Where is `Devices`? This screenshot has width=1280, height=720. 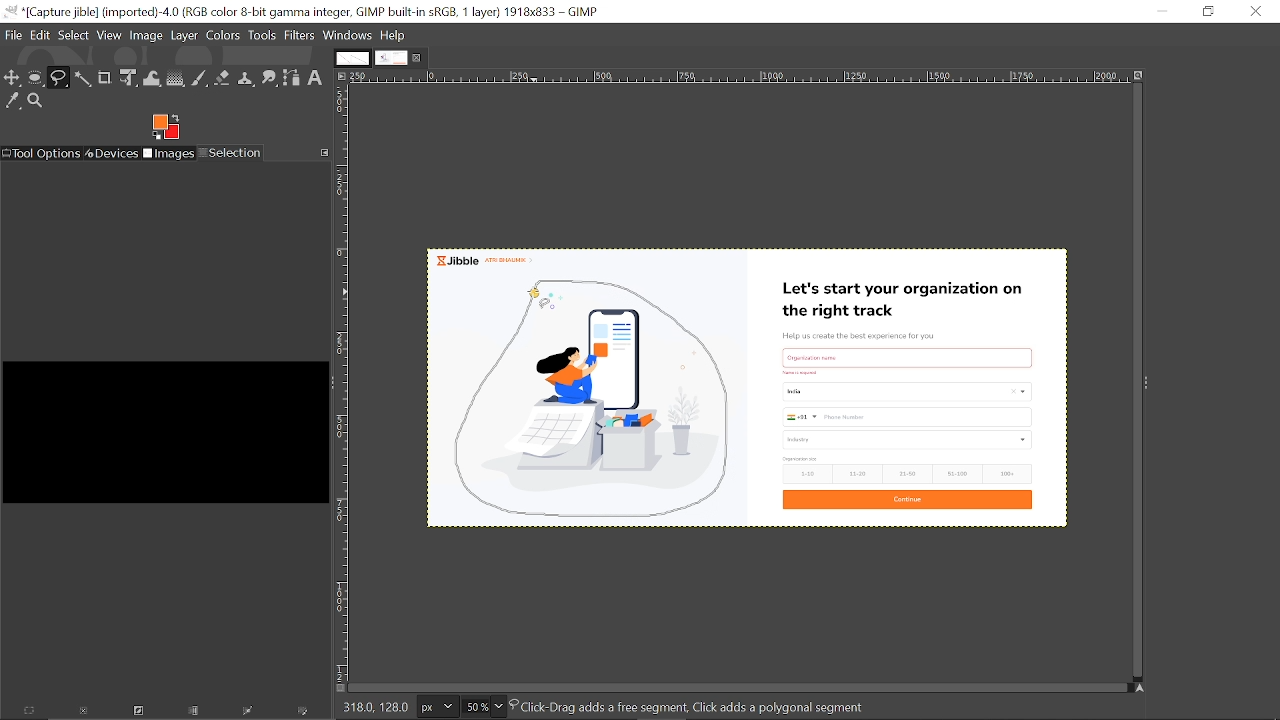 Devices is located at coordinates (113, 153).